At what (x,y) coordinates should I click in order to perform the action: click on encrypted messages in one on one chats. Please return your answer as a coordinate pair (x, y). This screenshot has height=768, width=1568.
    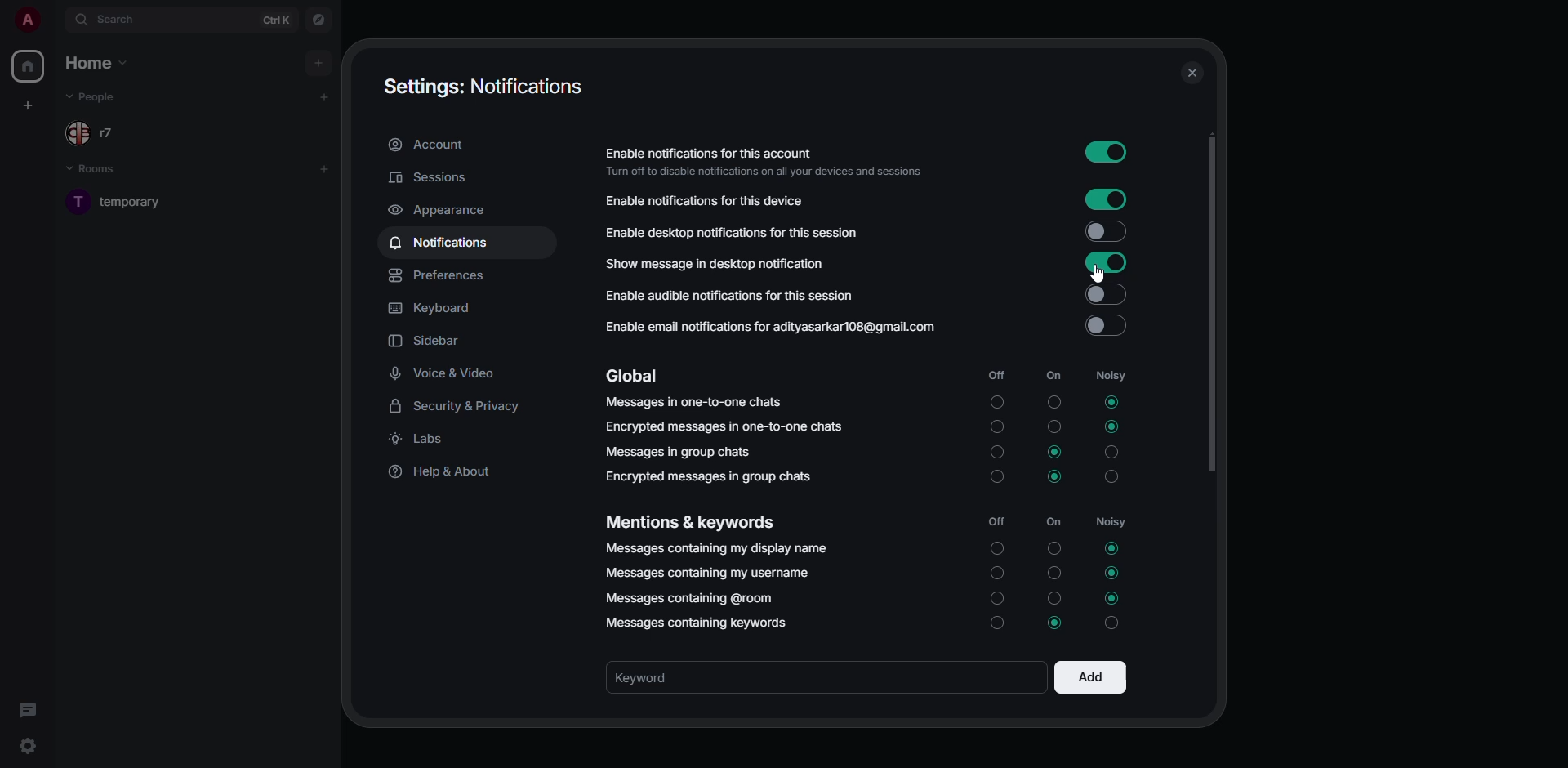
    Looking at the image, I should click on (728, 427).